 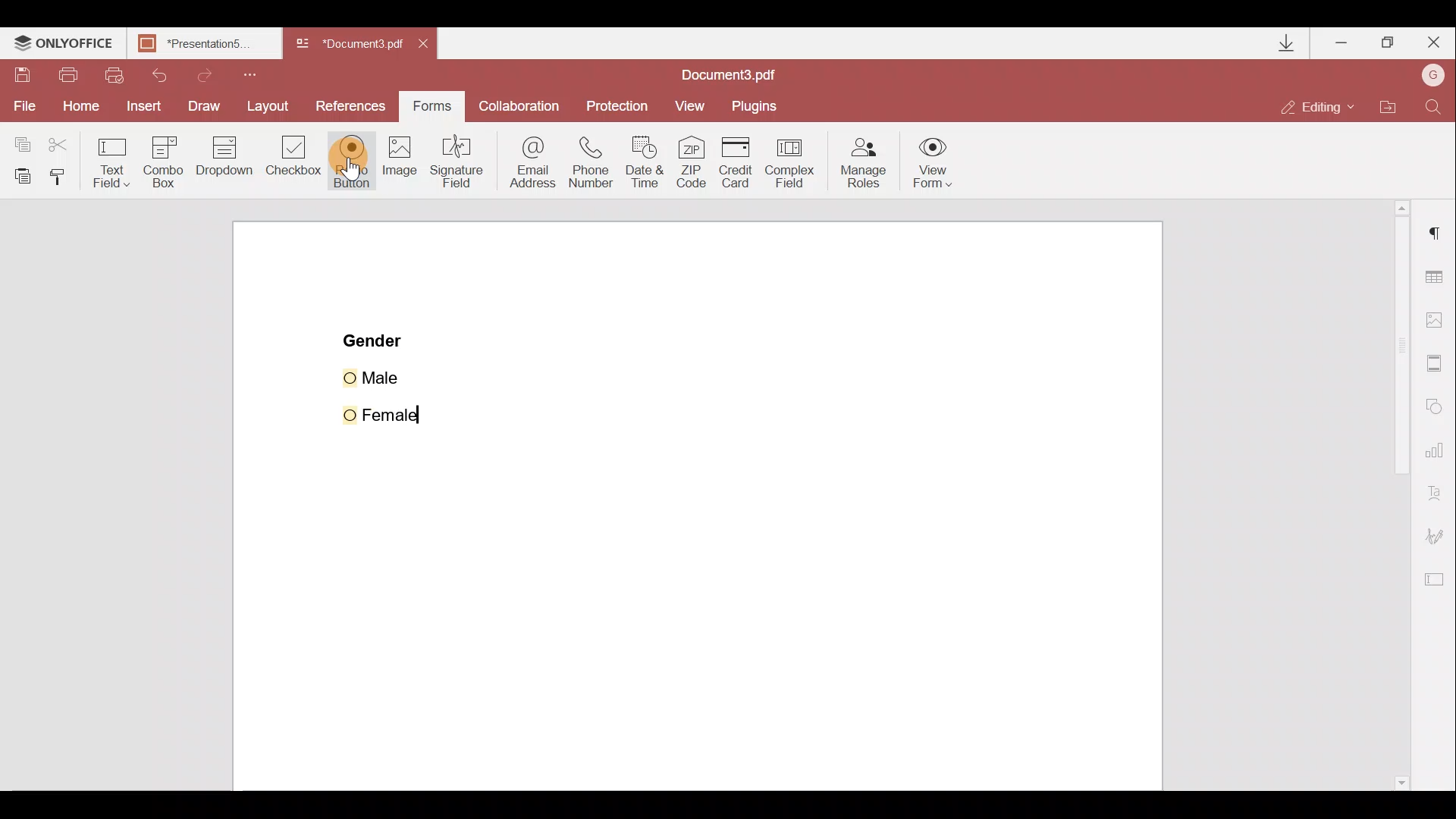 I want to click on Redo, so click(x=218, y=75).